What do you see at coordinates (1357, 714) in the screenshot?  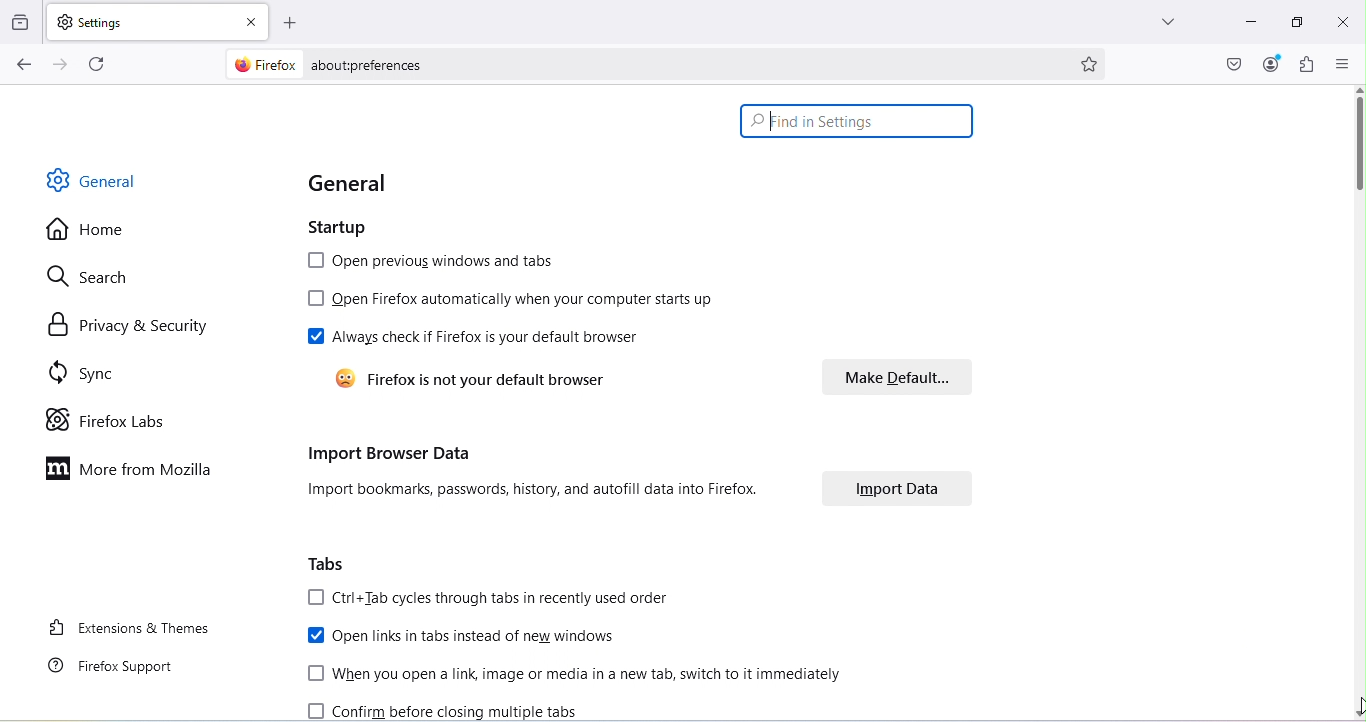 I see `move down` at bounding box center [1357, 714].